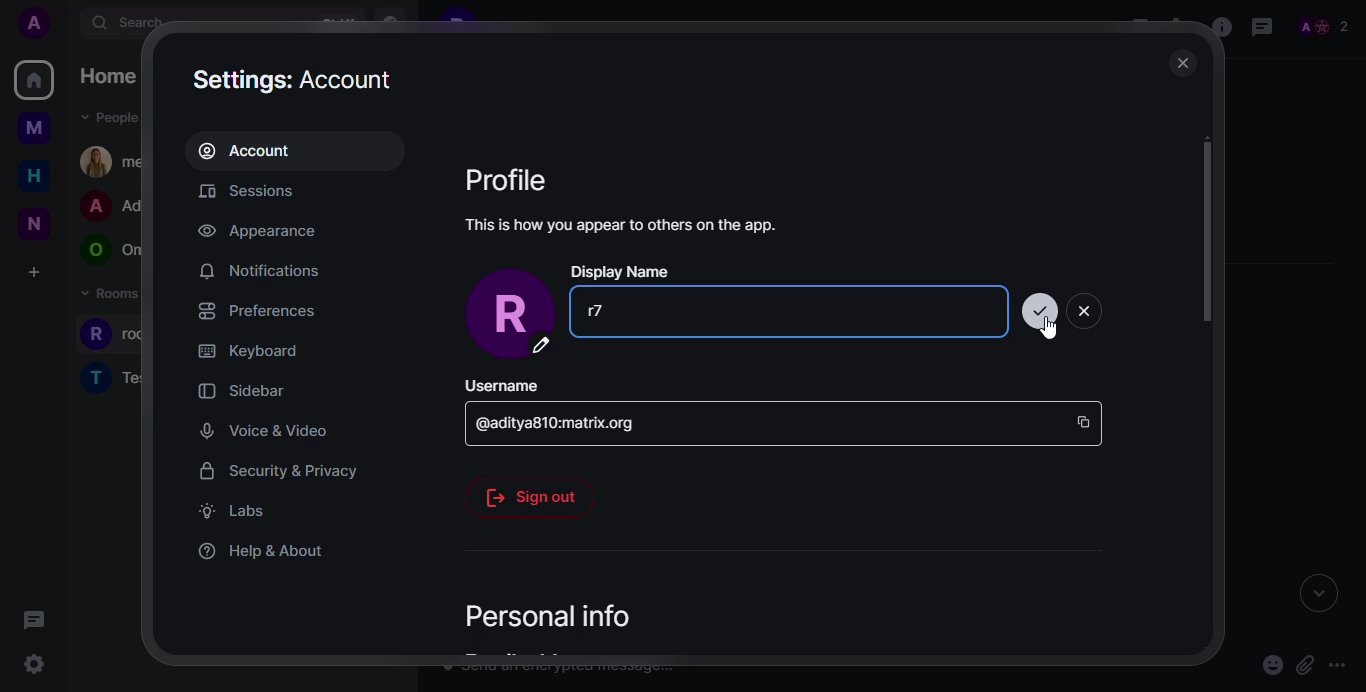 Image resolution: width=1366 pixels, height=692 pixels. What do you see at coordinates (109, 78) in the screenshot?
I see `home` at bounding box center [109, 78].